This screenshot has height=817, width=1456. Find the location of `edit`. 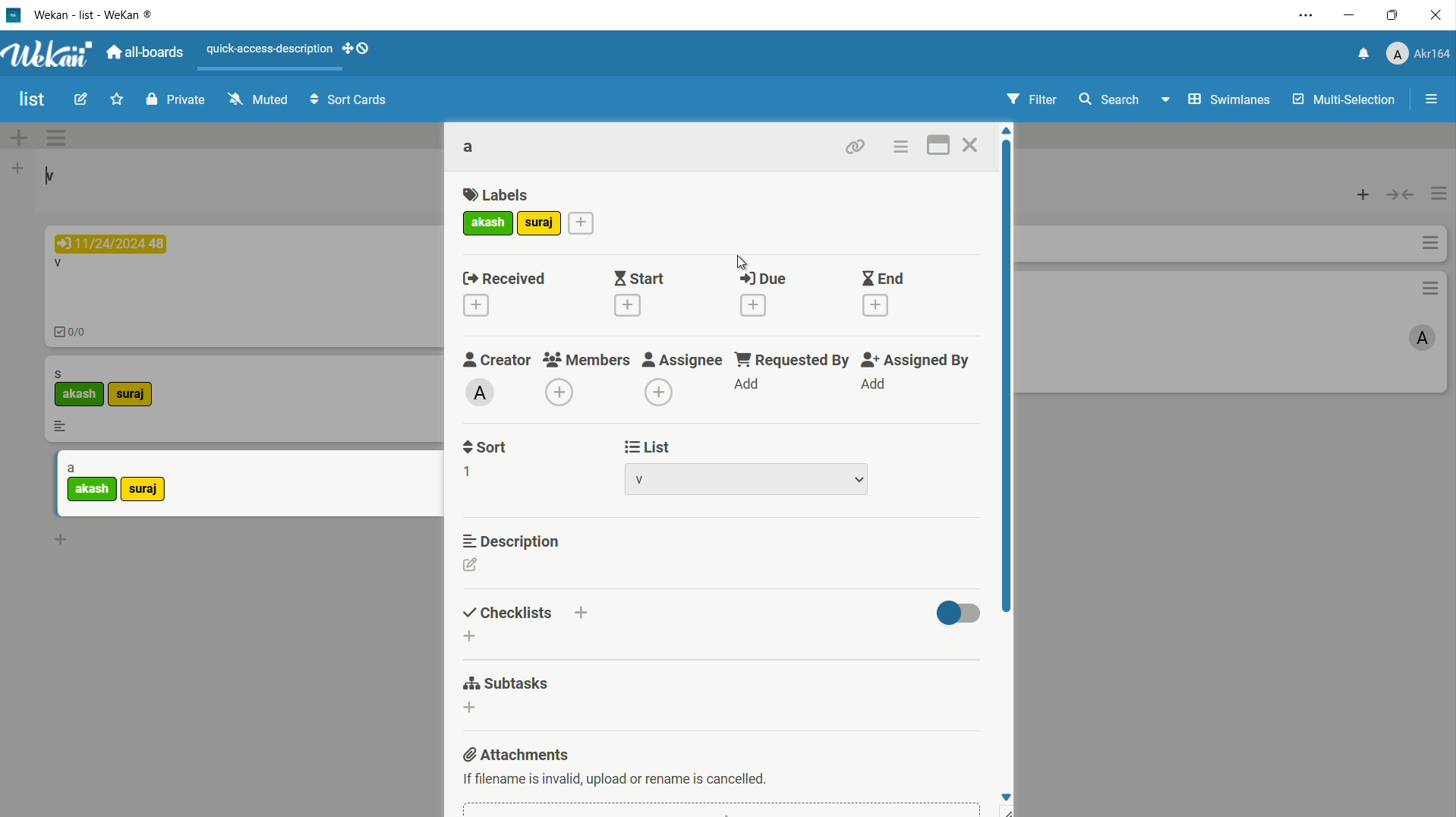

edit is located at coordinates (685, 359).